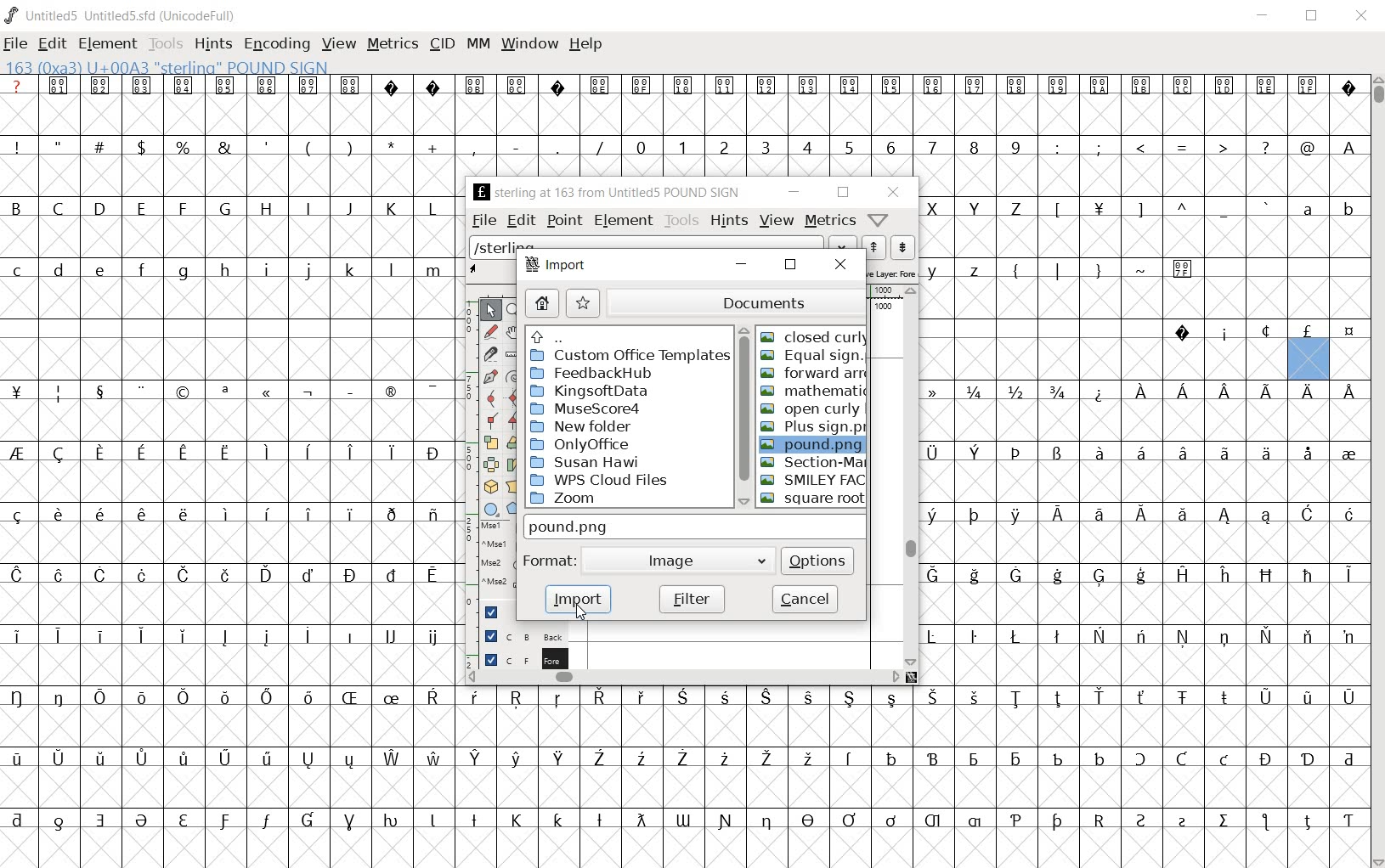  I want to click on scale, so click(466, 447).